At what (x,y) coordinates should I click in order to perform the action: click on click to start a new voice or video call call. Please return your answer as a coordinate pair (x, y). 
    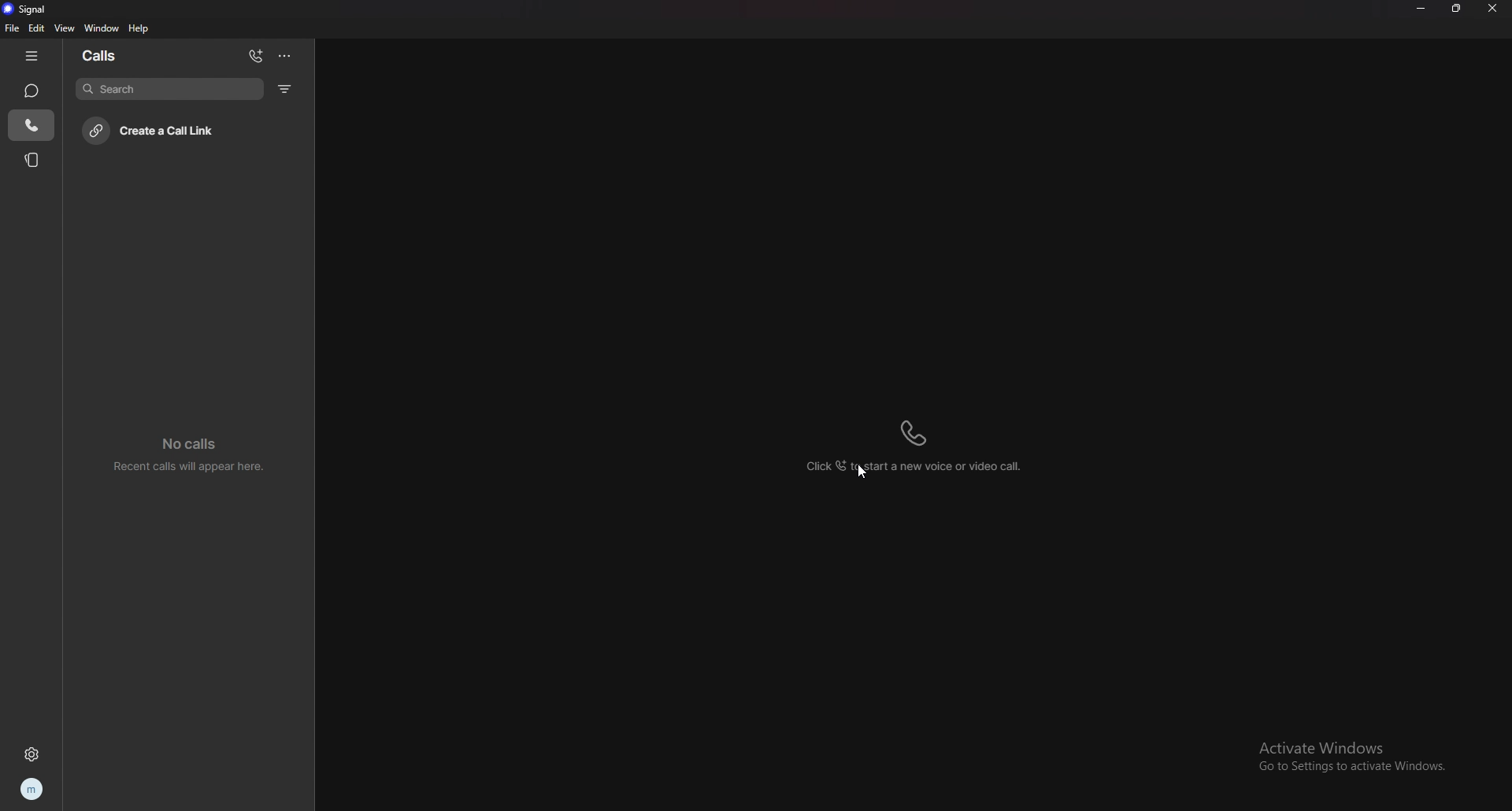
    Looking at the image, I should click on (920, 446).